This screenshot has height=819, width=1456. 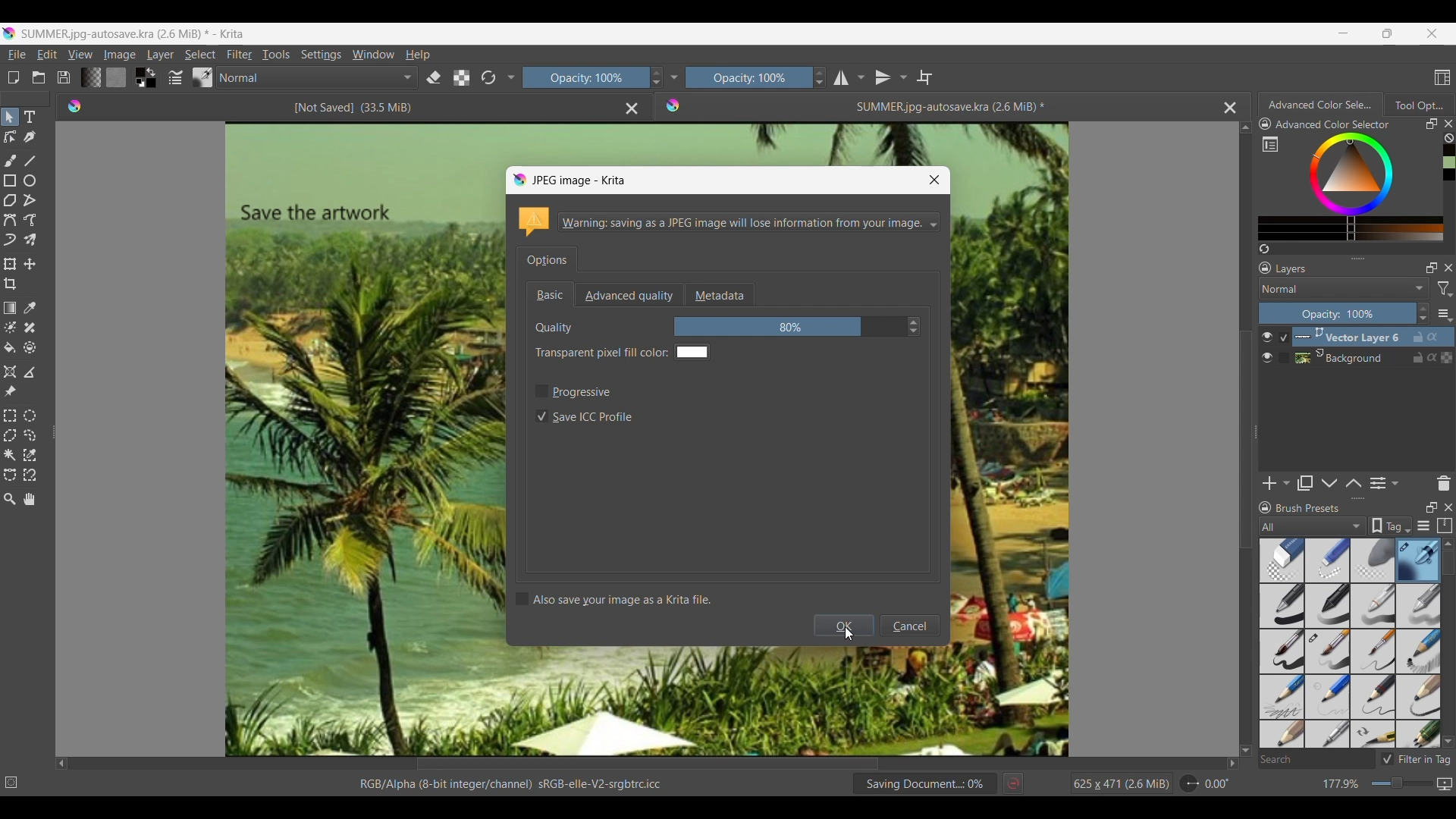 What do you see at coordinates (510, 784) in the screenshot?
I see `File details` at bounding box center [510, 784].